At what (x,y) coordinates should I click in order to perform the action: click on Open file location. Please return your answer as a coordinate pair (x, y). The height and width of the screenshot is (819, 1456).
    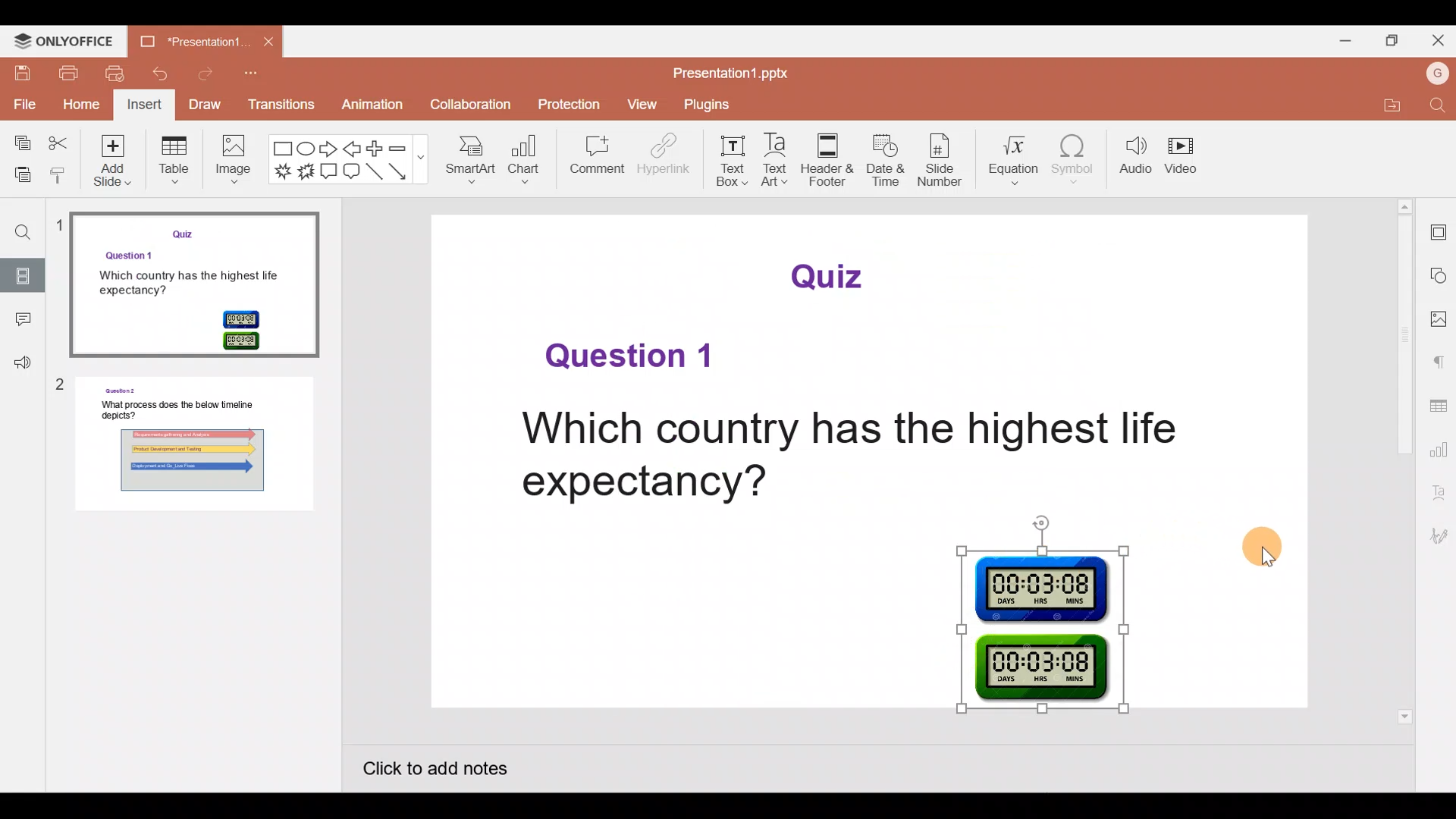
    Looking at the image, I should click on (1389, 108).